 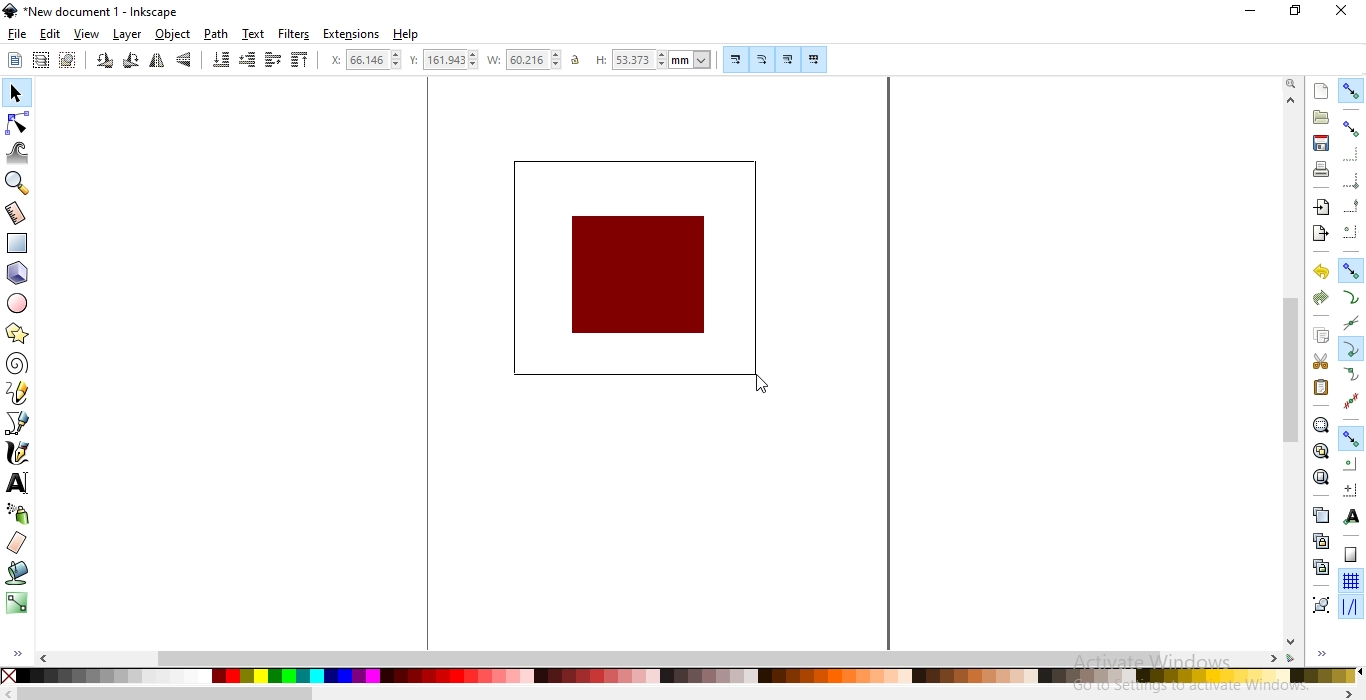 What do you see at coordinates (375, 59) in the screenshot?
I see `66.146` at bounding box center [375, 59].